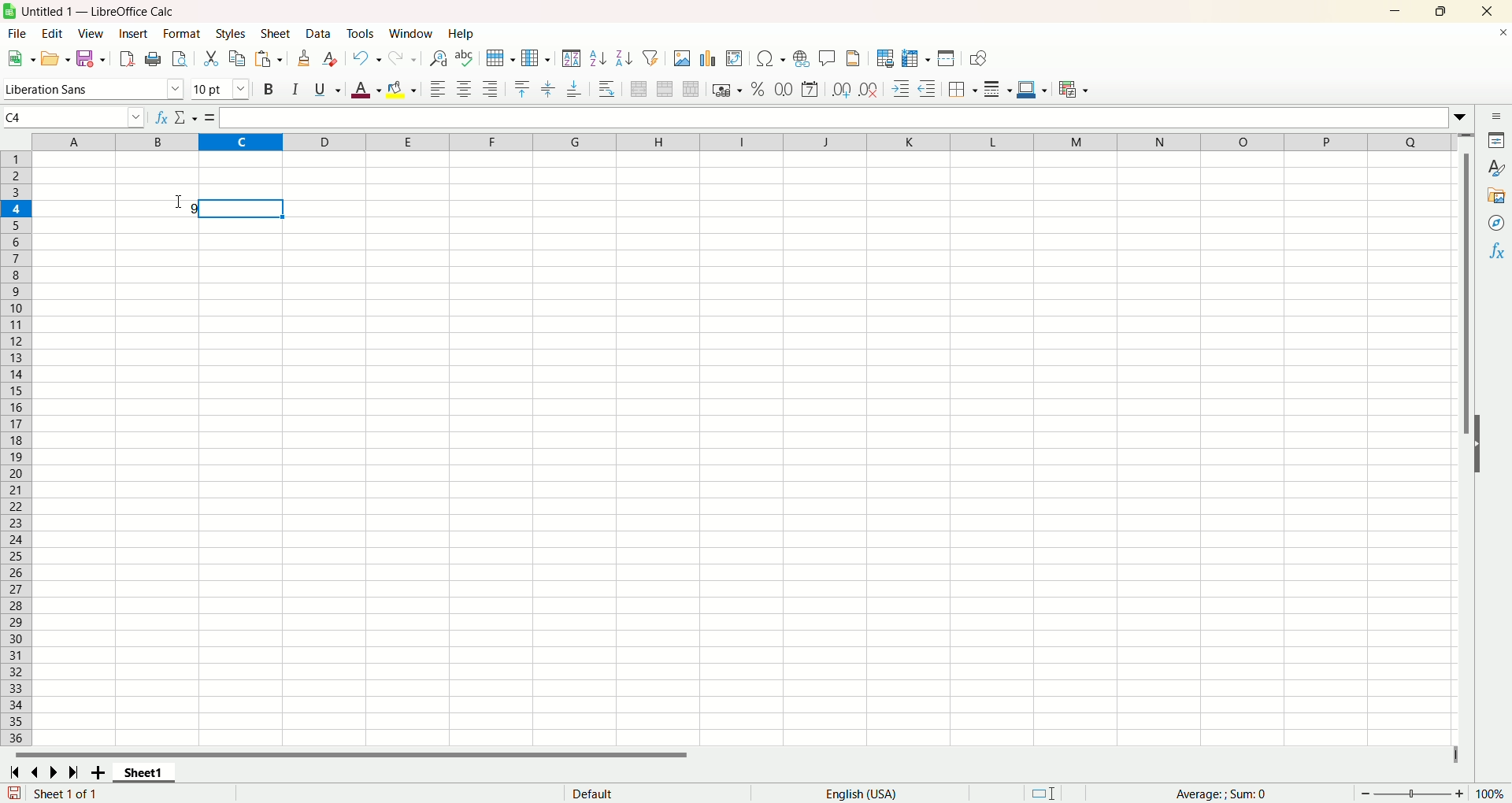 The image size is (1512, 803). Describe the element at coordinates (608, 89) in the screenshot. I see `wrap text` at that location.